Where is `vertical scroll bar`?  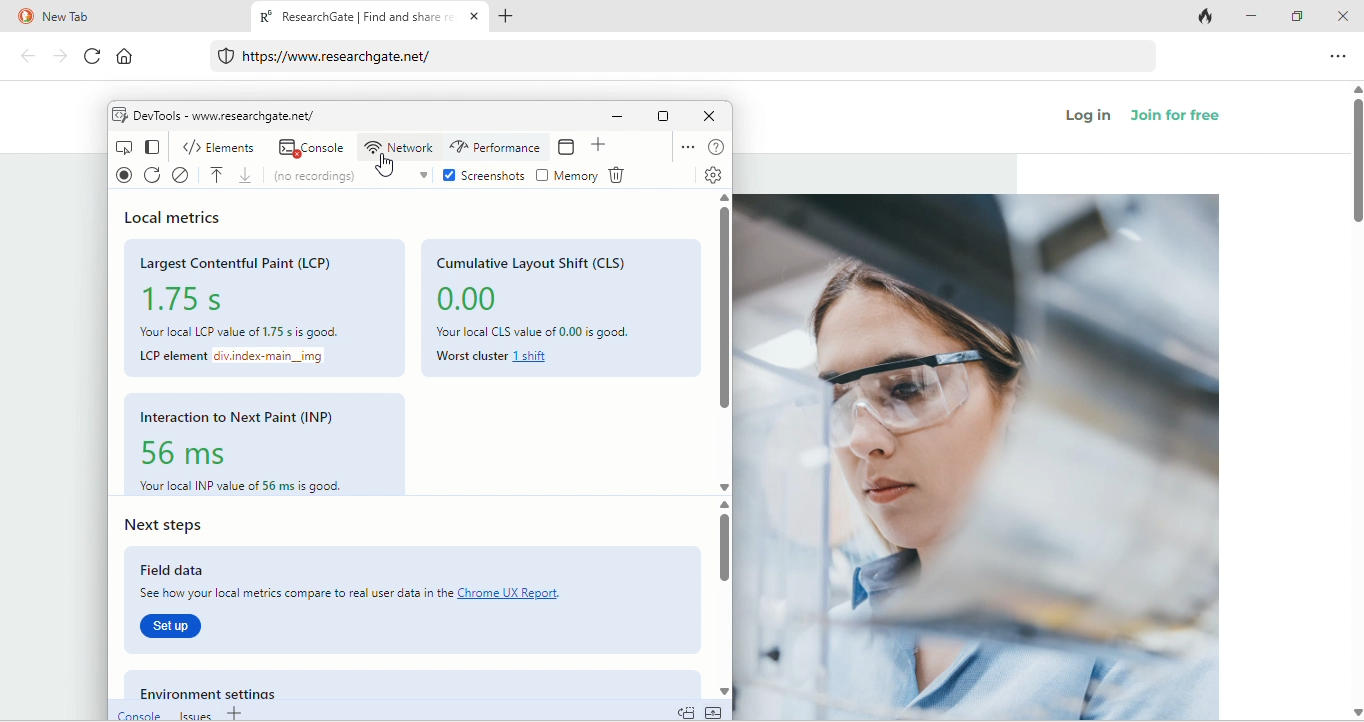
vertical scroll bar is located at coordinates (722, 310).